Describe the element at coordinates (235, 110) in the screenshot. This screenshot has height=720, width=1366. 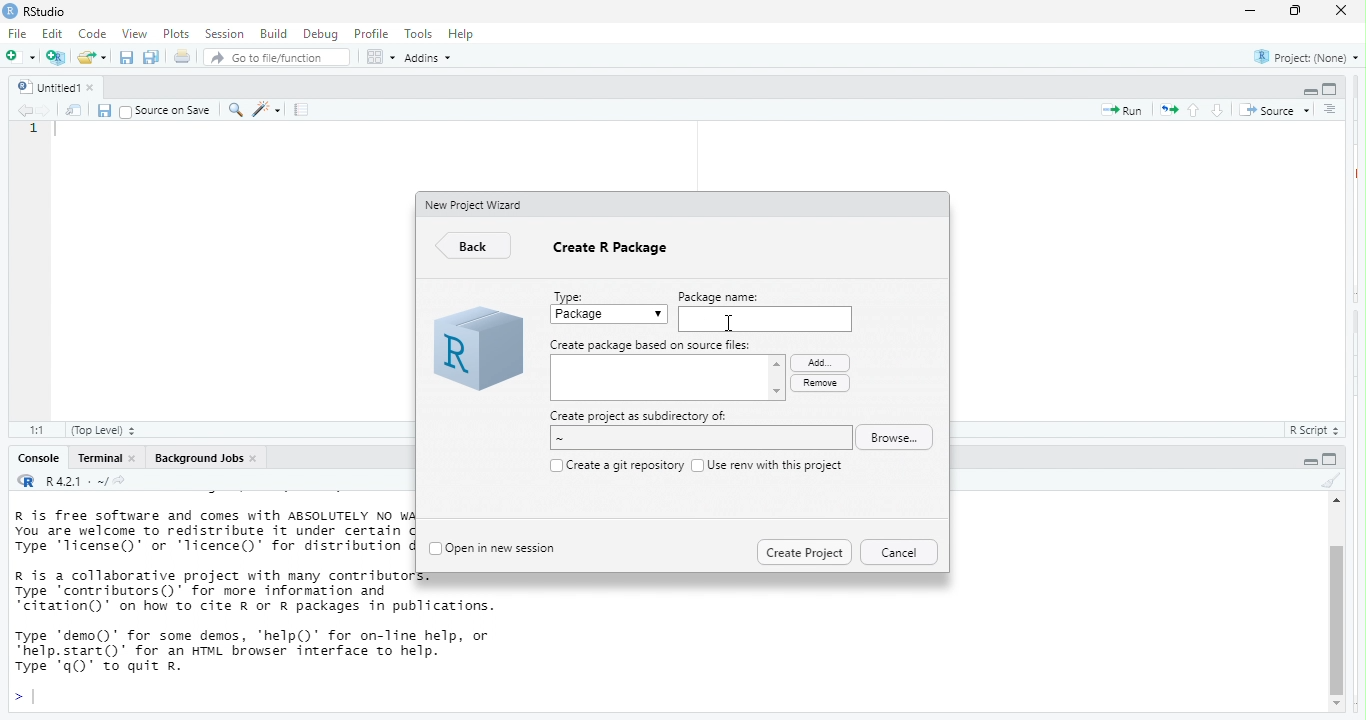
I see `find /replace` at that location.